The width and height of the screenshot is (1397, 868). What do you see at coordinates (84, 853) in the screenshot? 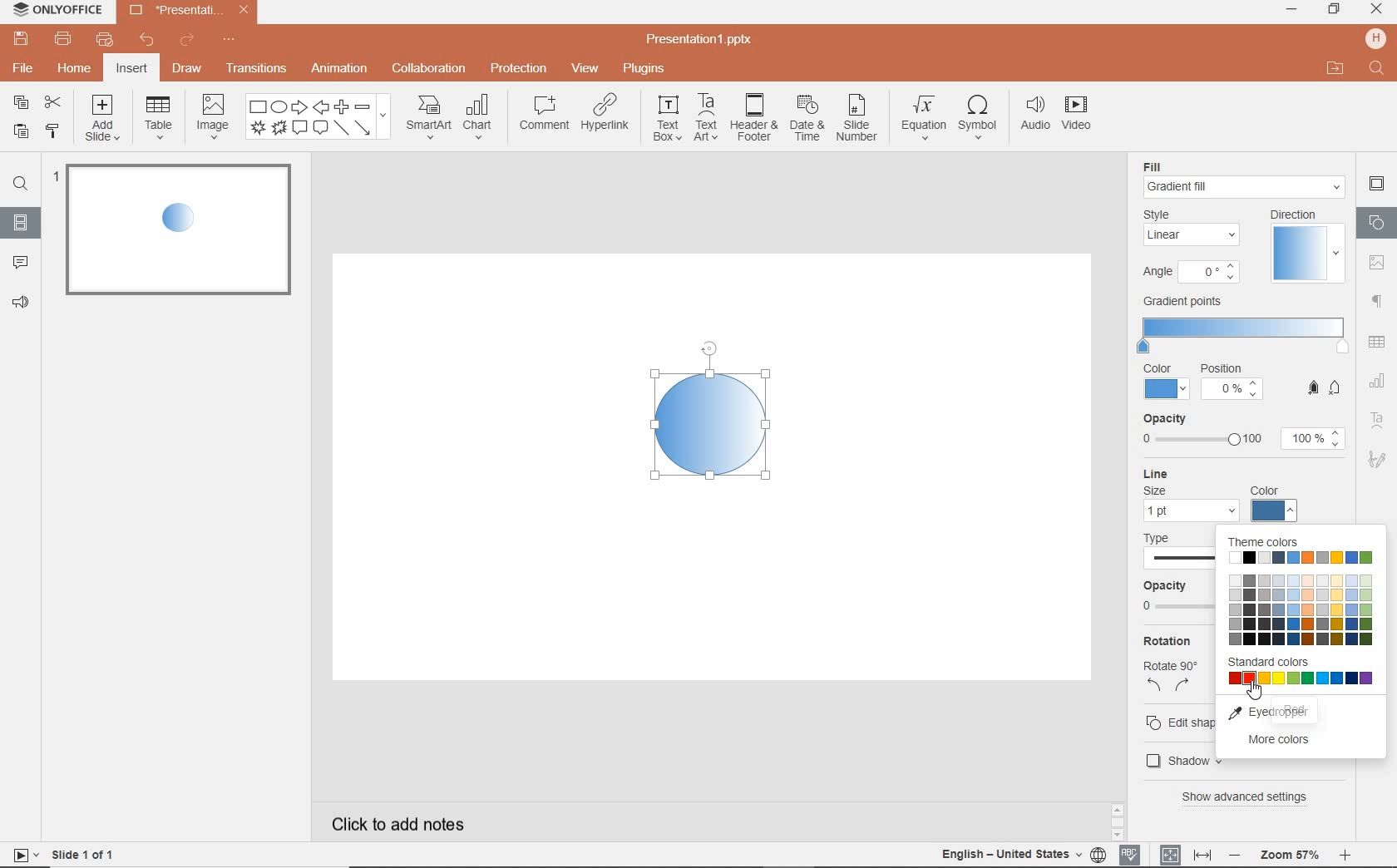
I see `slide 1 of 1` at bounding box center [84, 853].